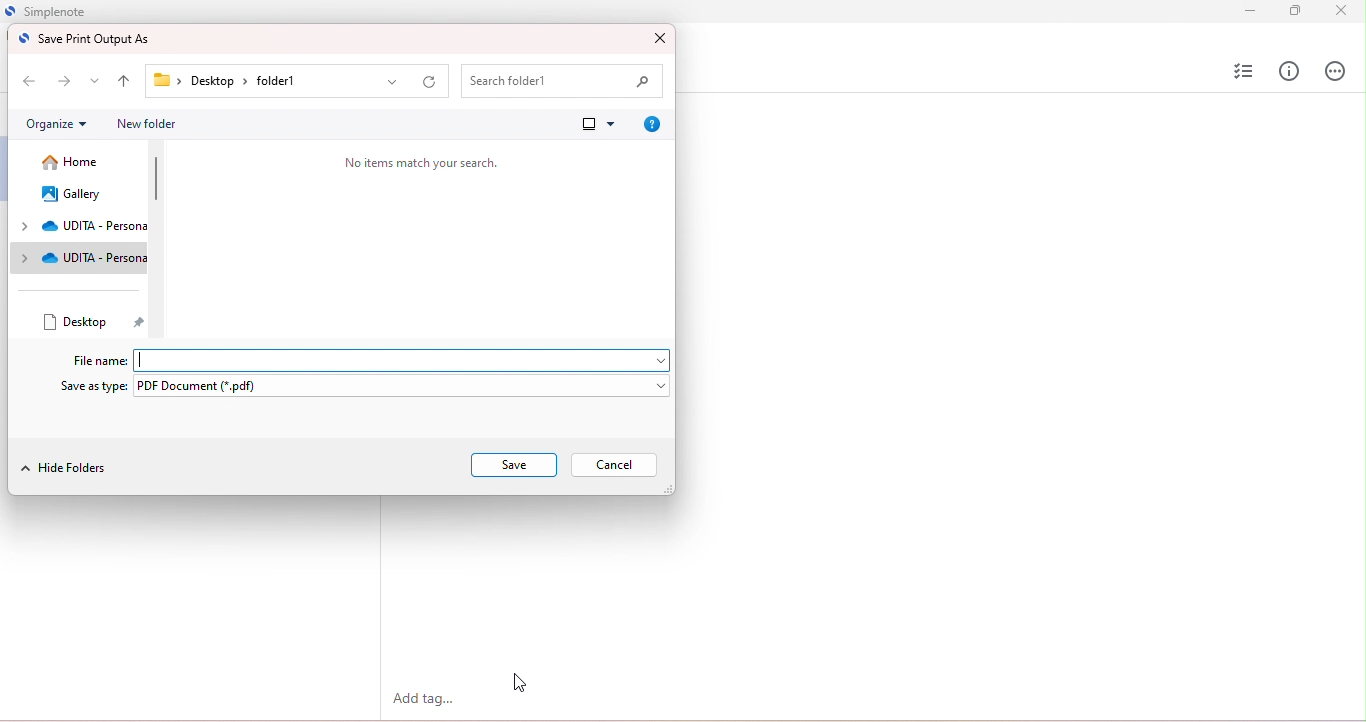 Image resolution: width=1366 pixels, height=722 pixels. I want to click on gallery, so click(73, 194).